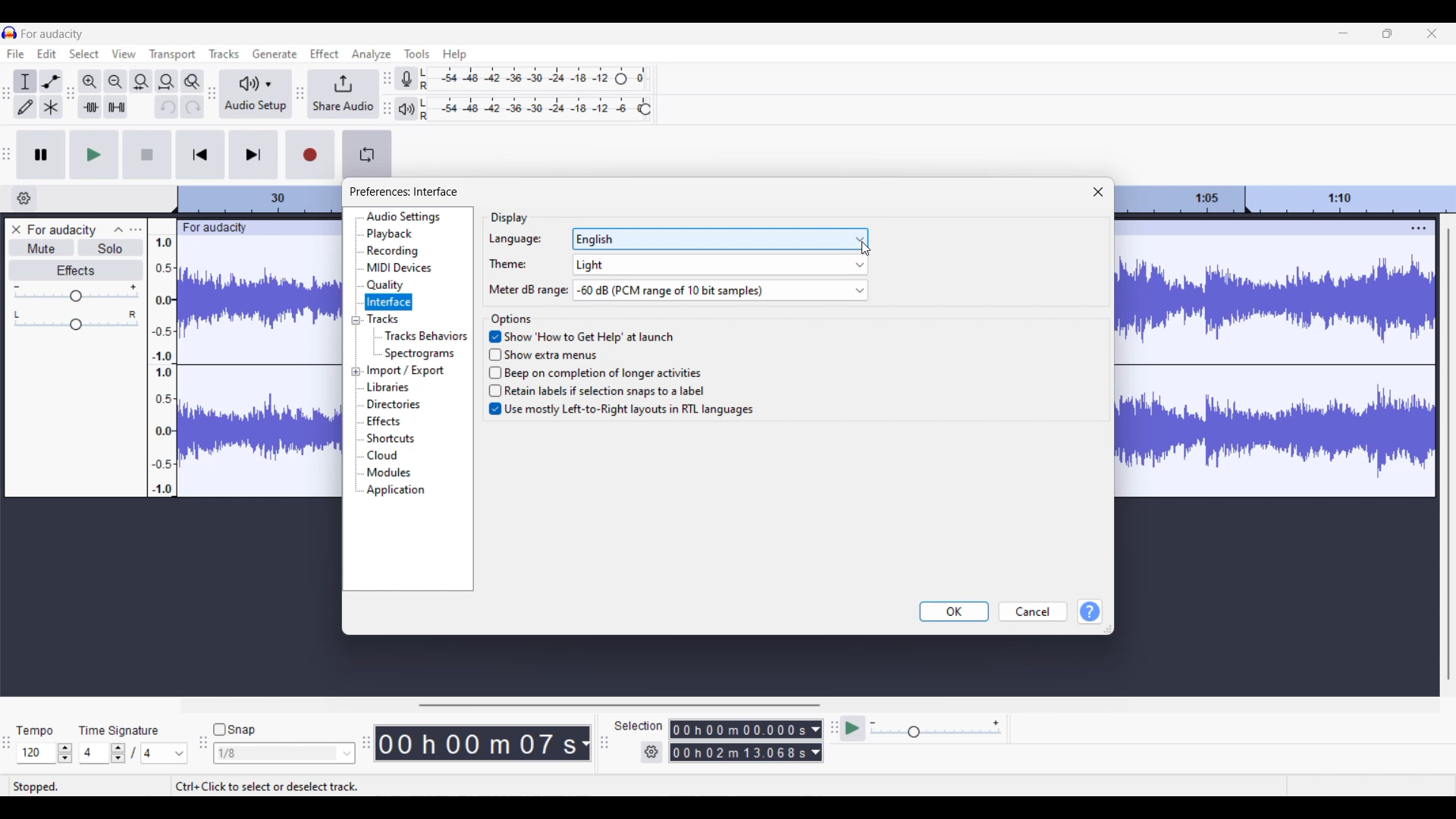 This screenshot has width=1456, height=819. I want to click on Modules, so click(388, 472).